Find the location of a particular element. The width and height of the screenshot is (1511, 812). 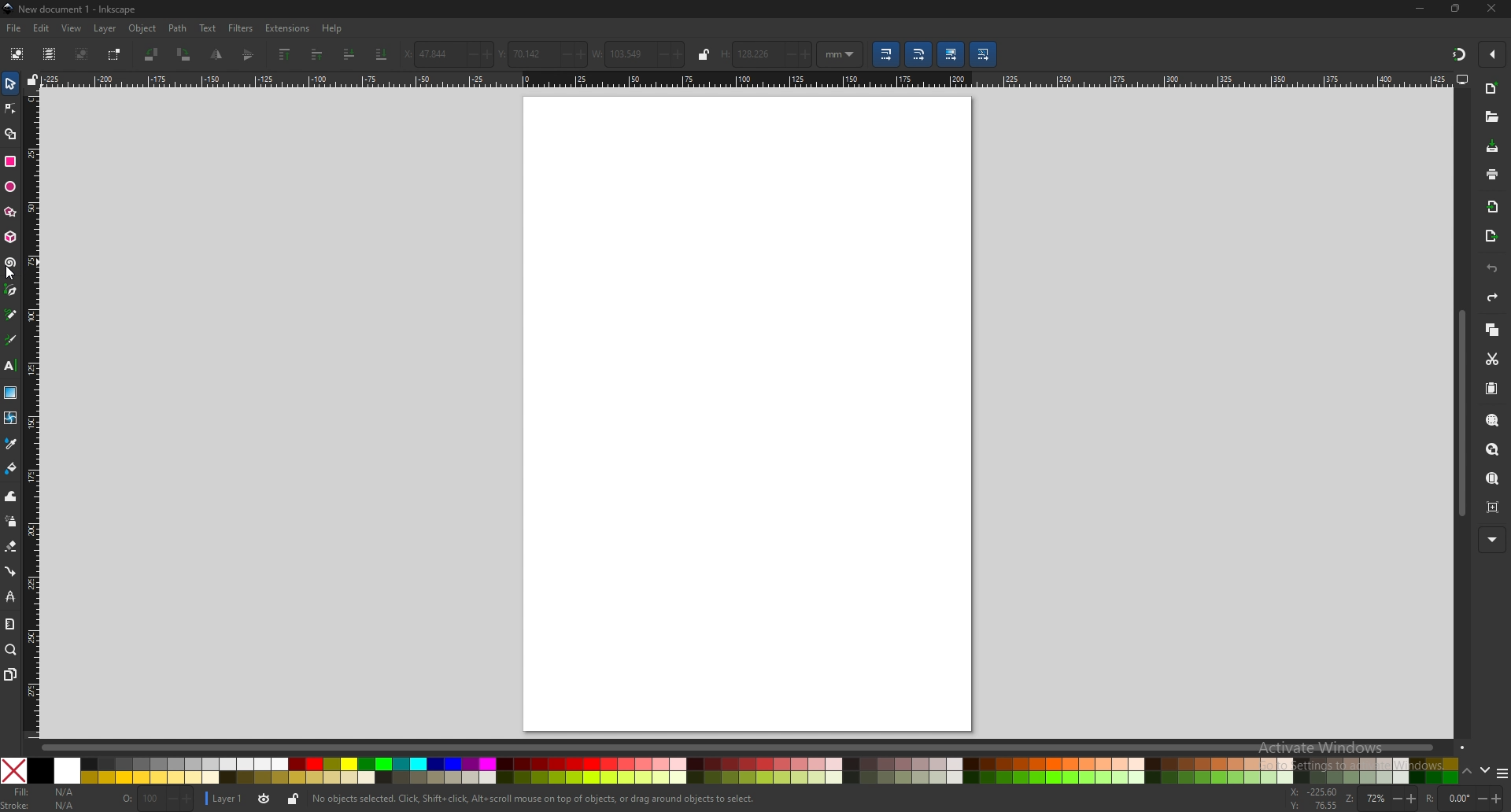

raise selection to top is located at coordinates (286, 54).